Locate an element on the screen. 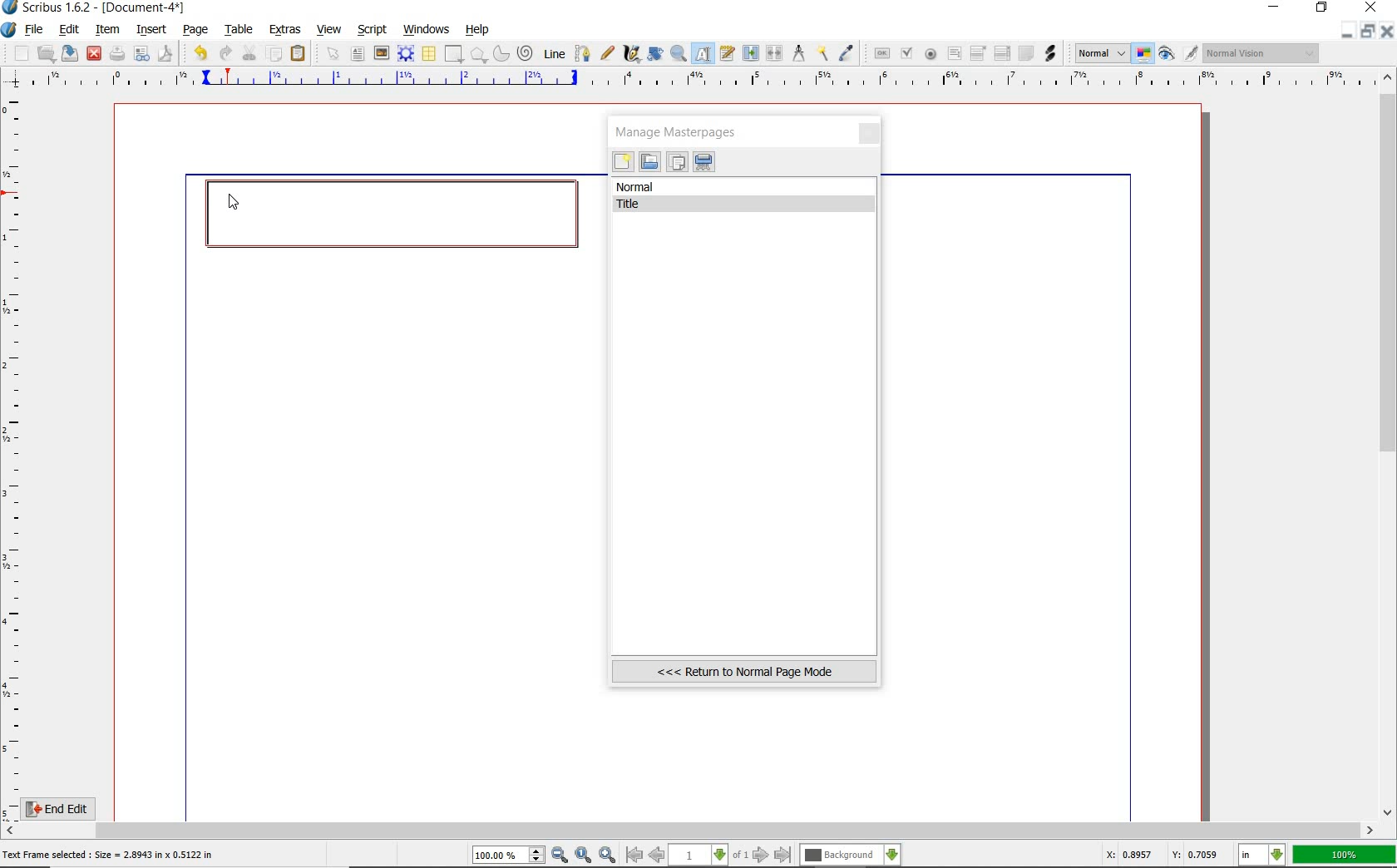 The height and width of the screenshot is (868, 1397). print is located at coordinates (117, 53).